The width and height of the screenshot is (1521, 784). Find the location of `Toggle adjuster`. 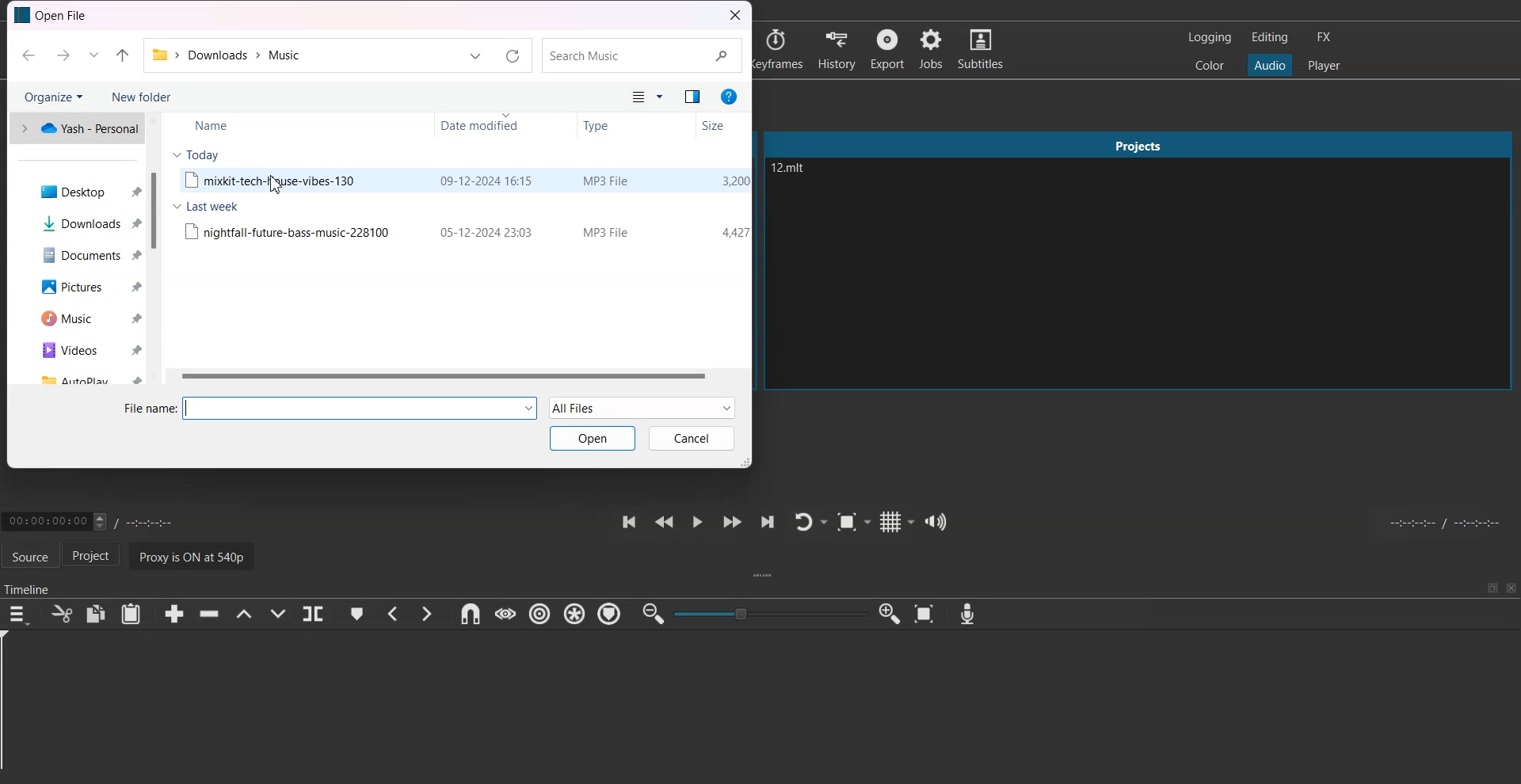

Toggle adjuster is located at coordinates (771, 613).